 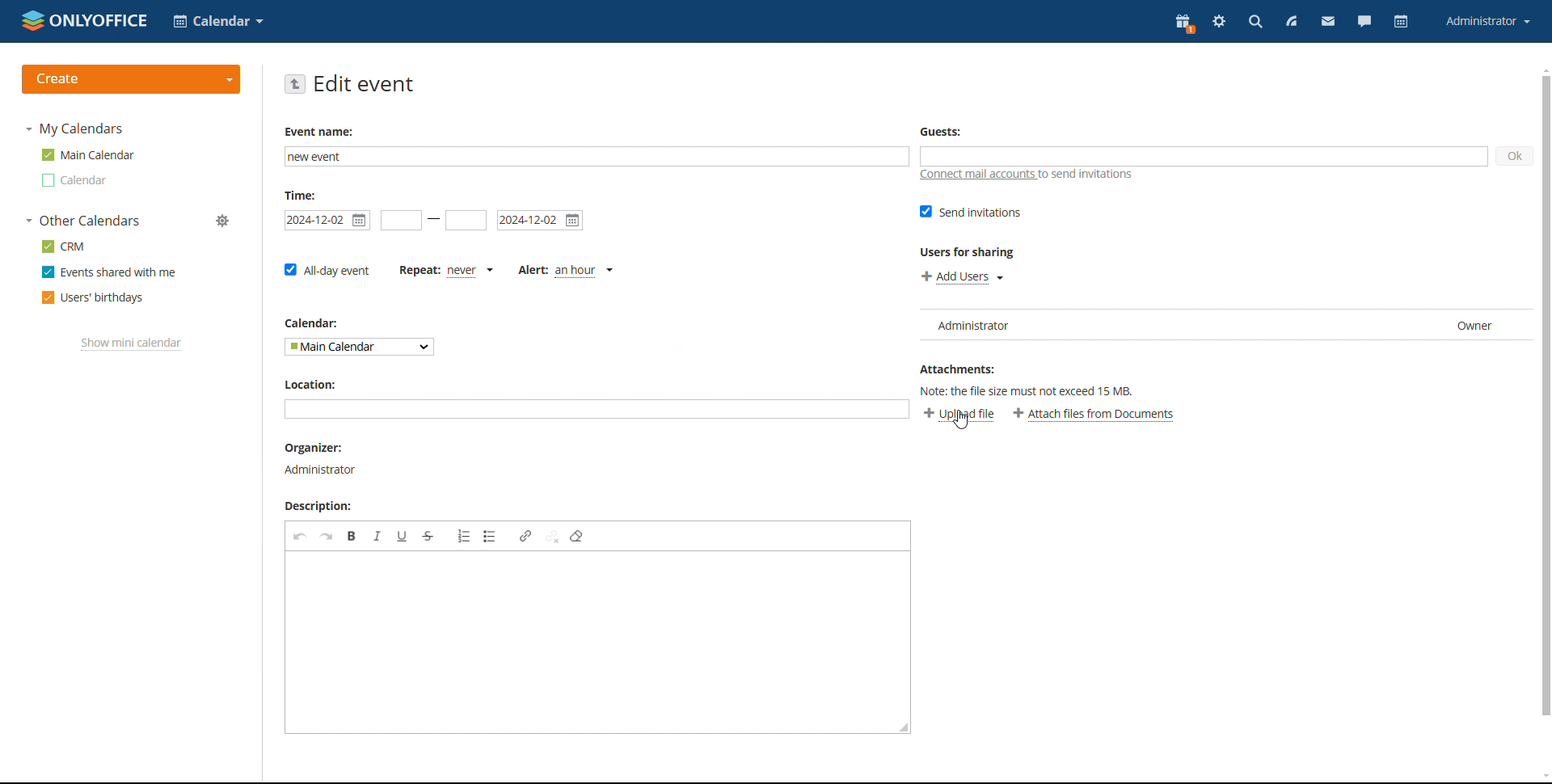 I want to click on guest:, so click(x=947, y=132).